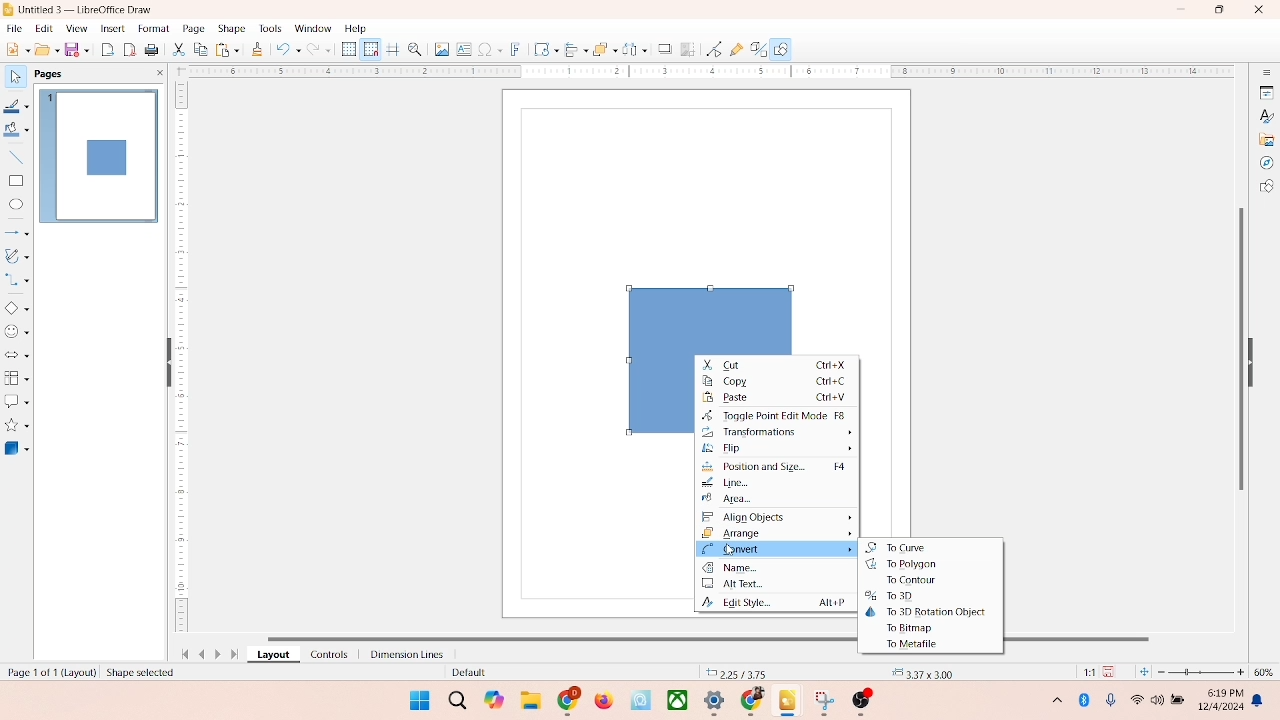 This screenshot has width=1280, height=720. Describe the element at coordinates (49, 671) in the screenshot. I see `page number` at that location.